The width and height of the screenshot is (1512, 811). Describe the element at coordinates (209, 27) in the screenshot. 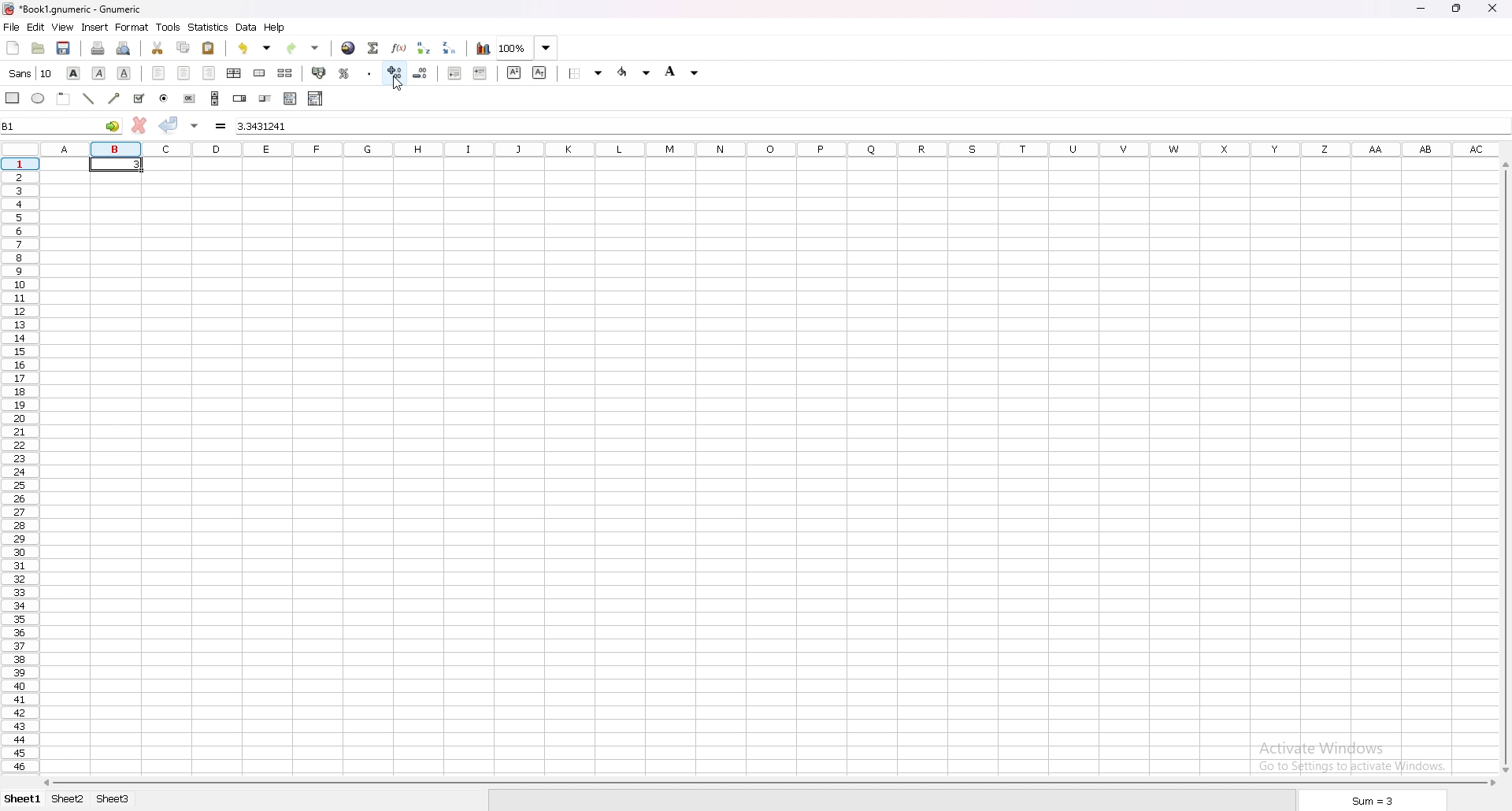

I see `statistics` at that location.